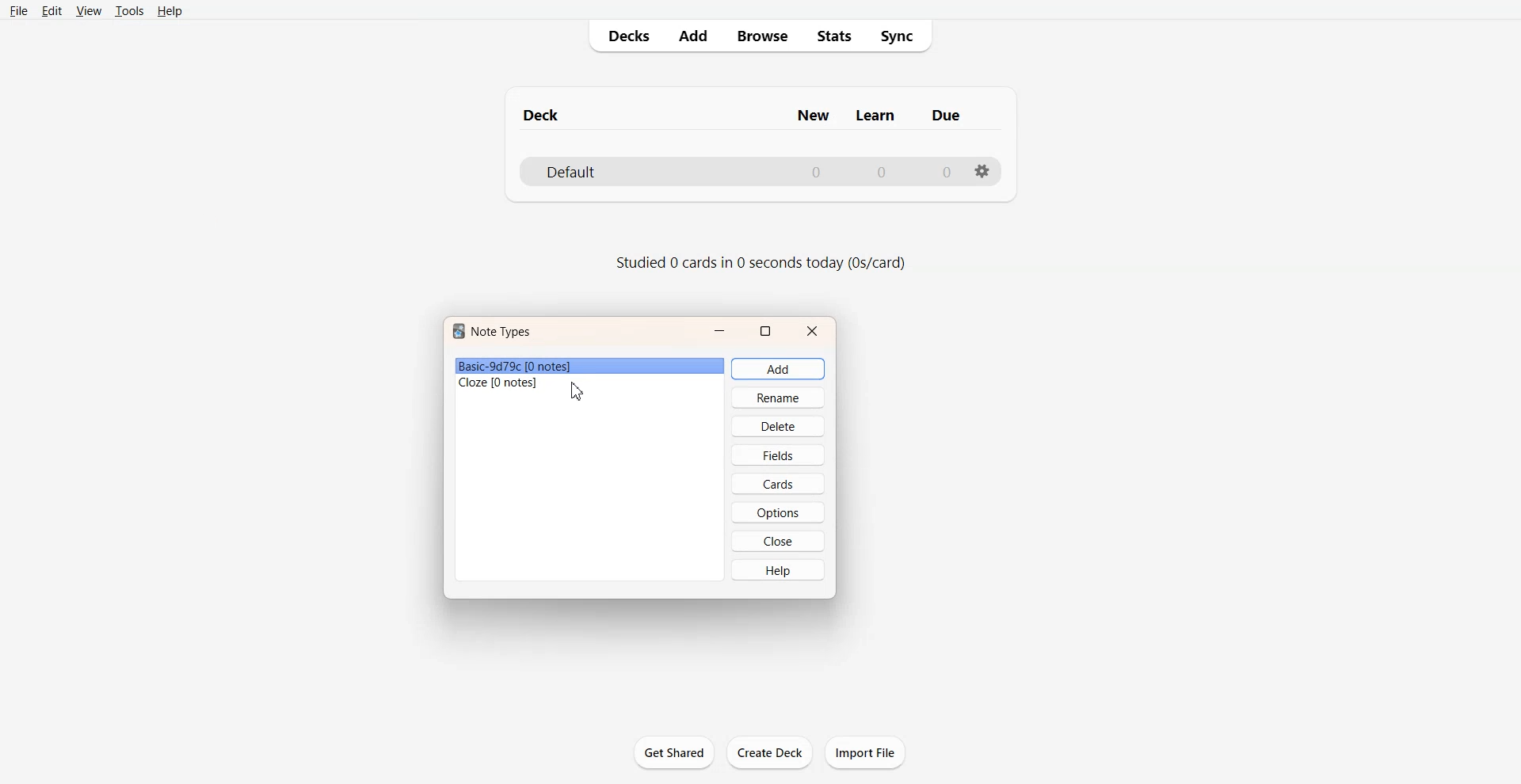  Describe the element at coordinates (720, 331) in the screenshot. I see `Minimize` at that location.